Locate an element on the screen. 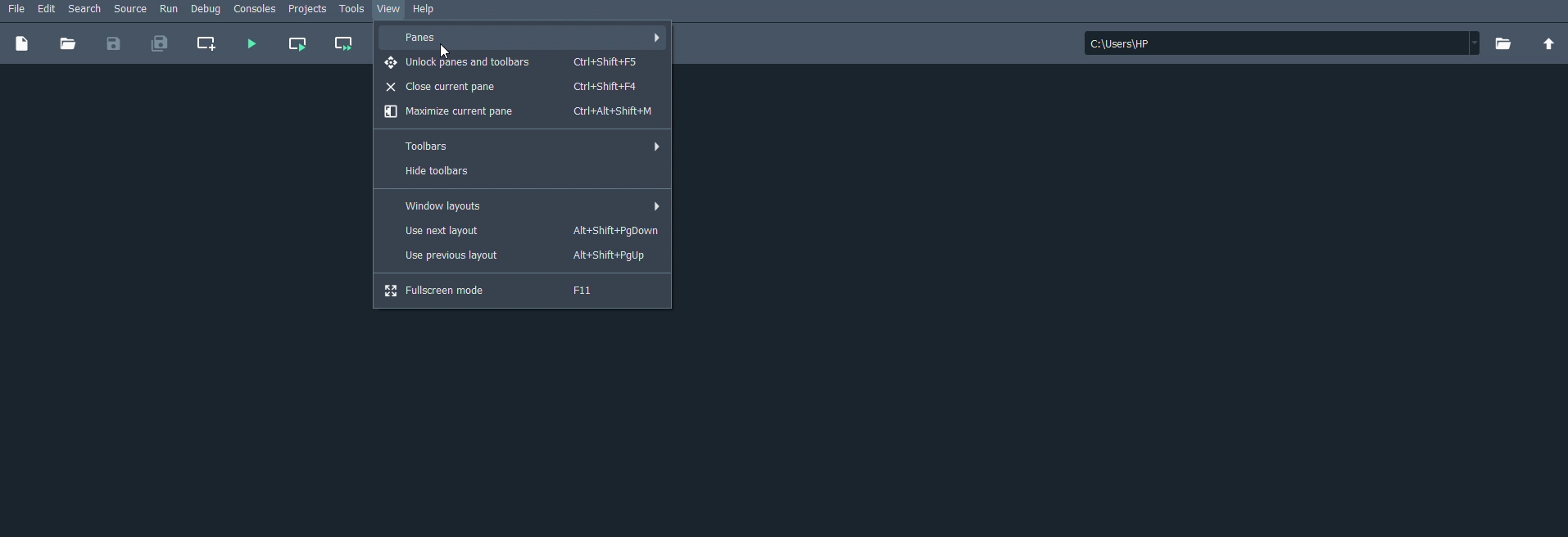  Create new cell at the current line is located at coordinates (211, 43).